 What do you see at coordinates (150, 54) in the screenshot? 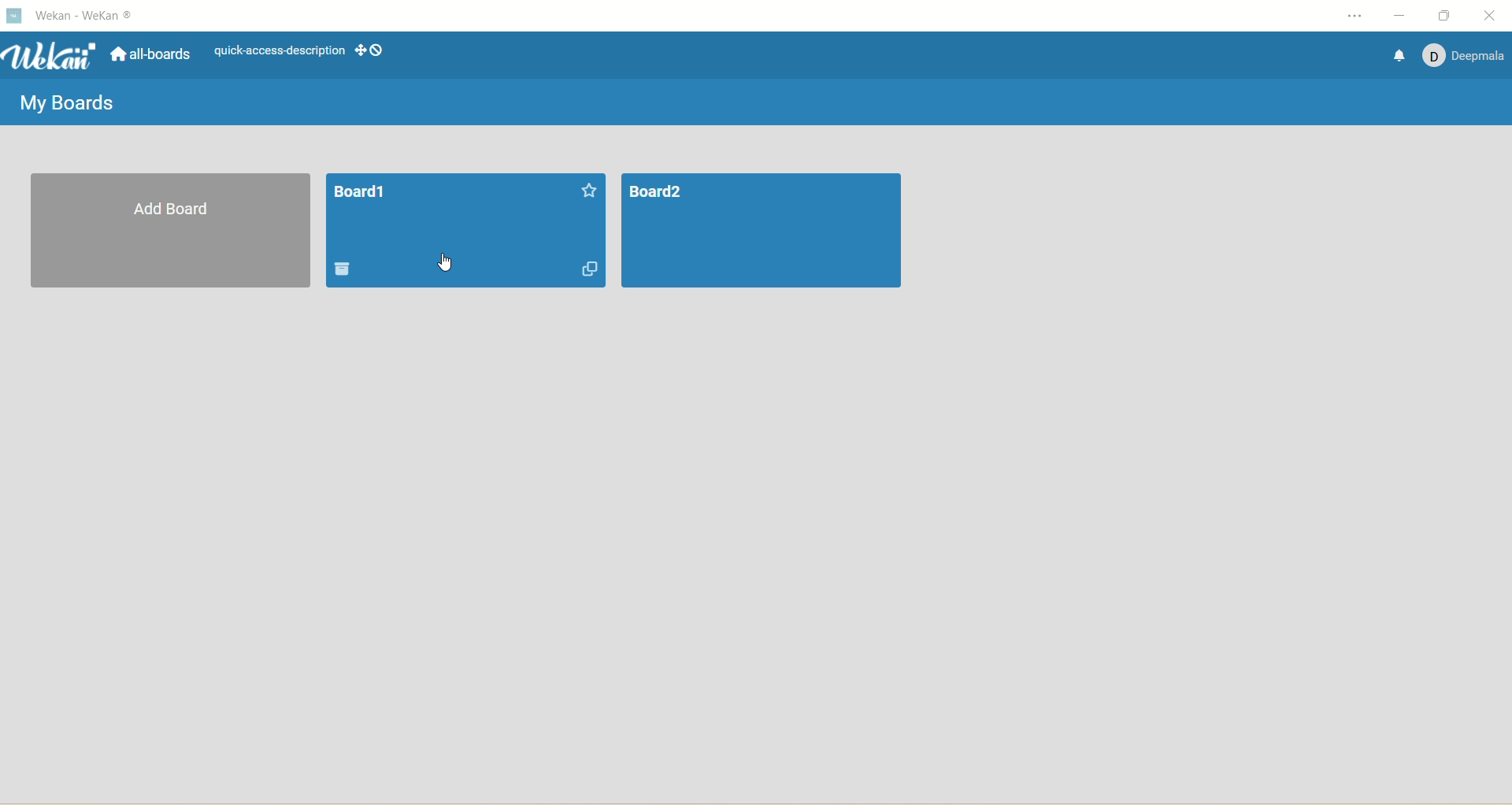
I see `all boards` at bounding box center [150, 54].